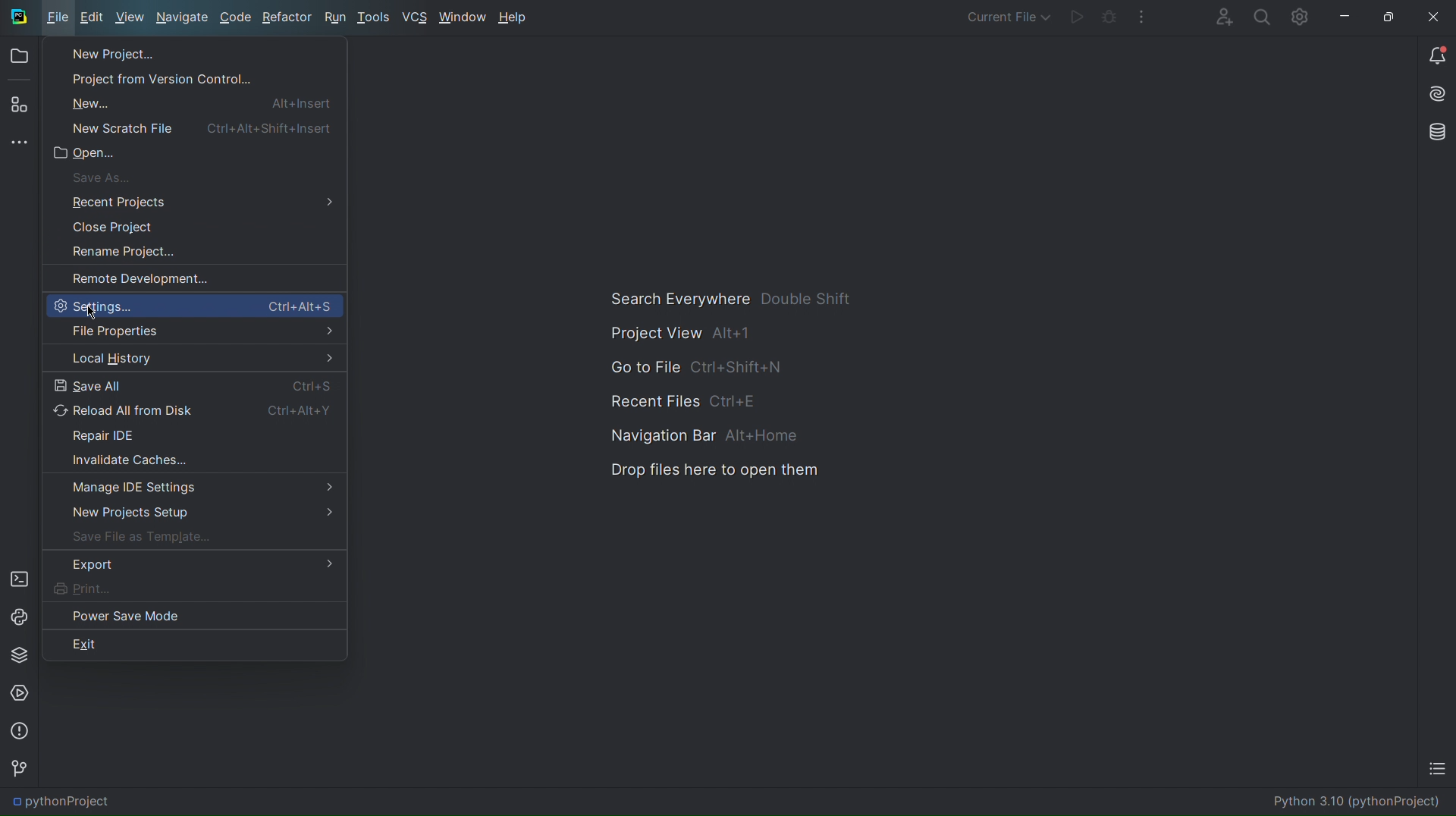  Describe the element at coordinates (1217, 17) in the screenshot. I see `Account` at that location.